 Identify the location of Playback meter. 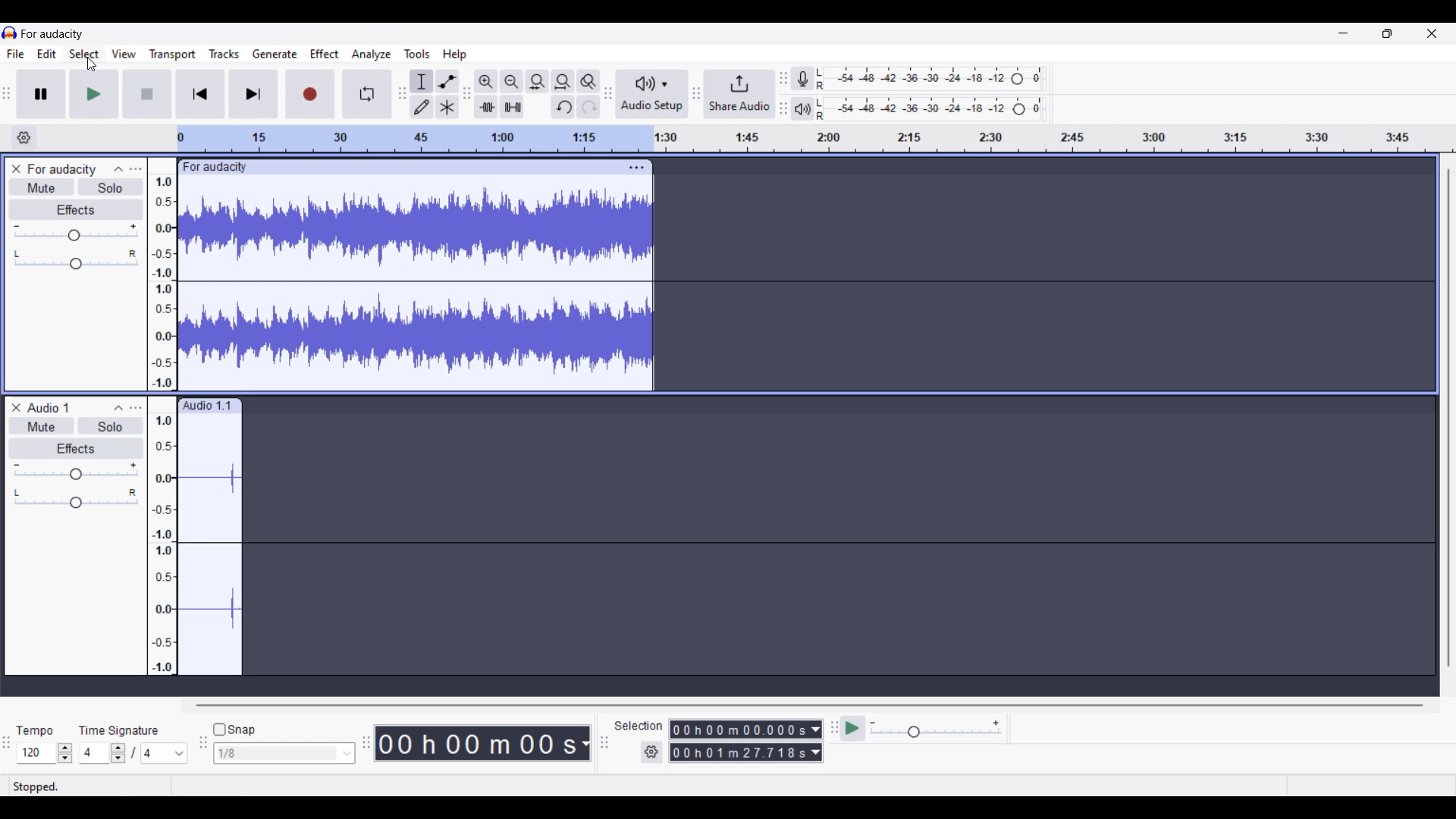
(802, 109).